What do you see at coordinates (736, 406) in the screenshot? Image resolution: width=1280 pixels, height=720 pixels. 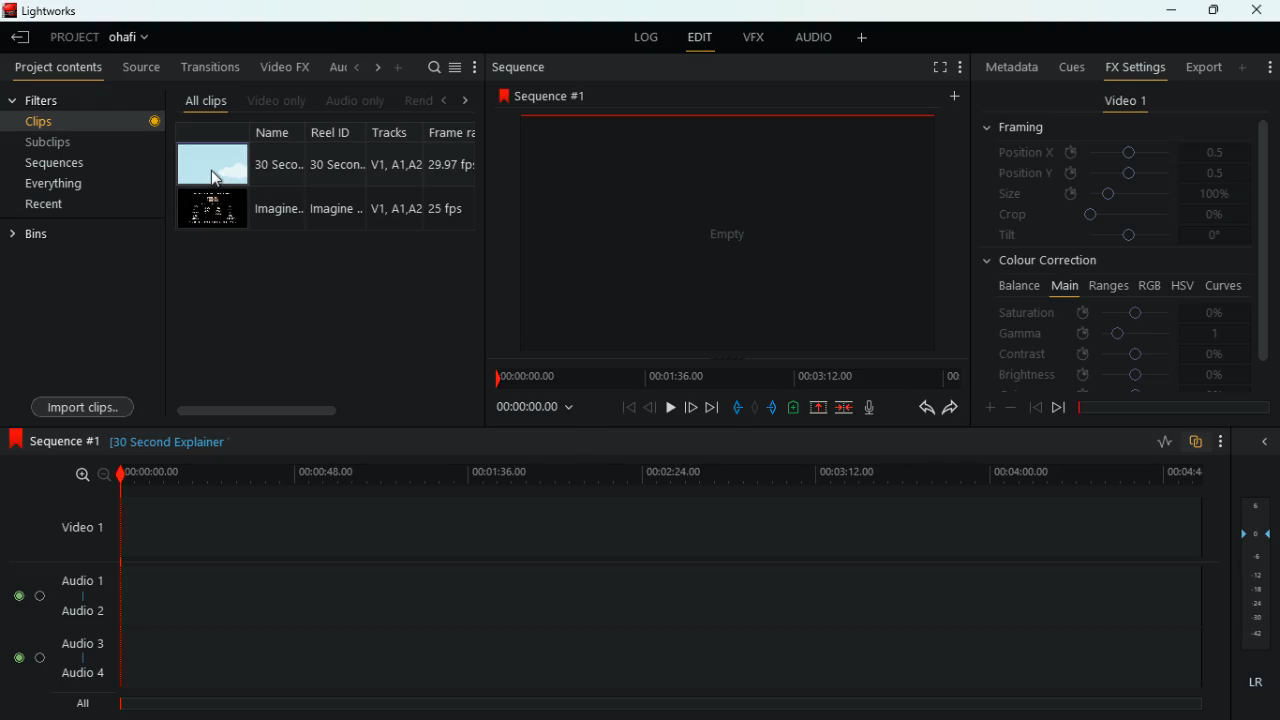 I see `pull` at bounding box center [736, 406].